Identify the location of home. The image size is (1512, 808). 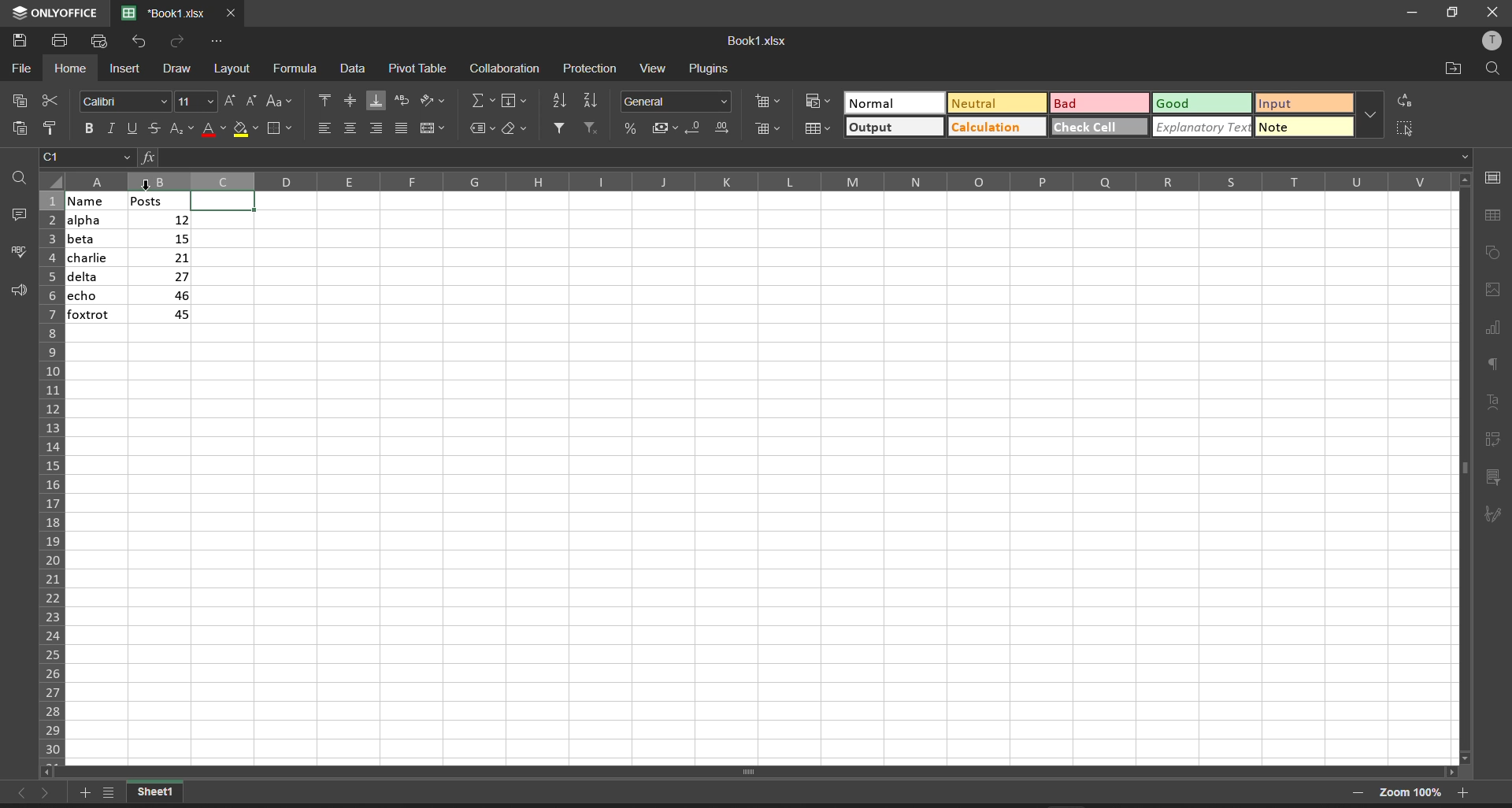
(73, 70).